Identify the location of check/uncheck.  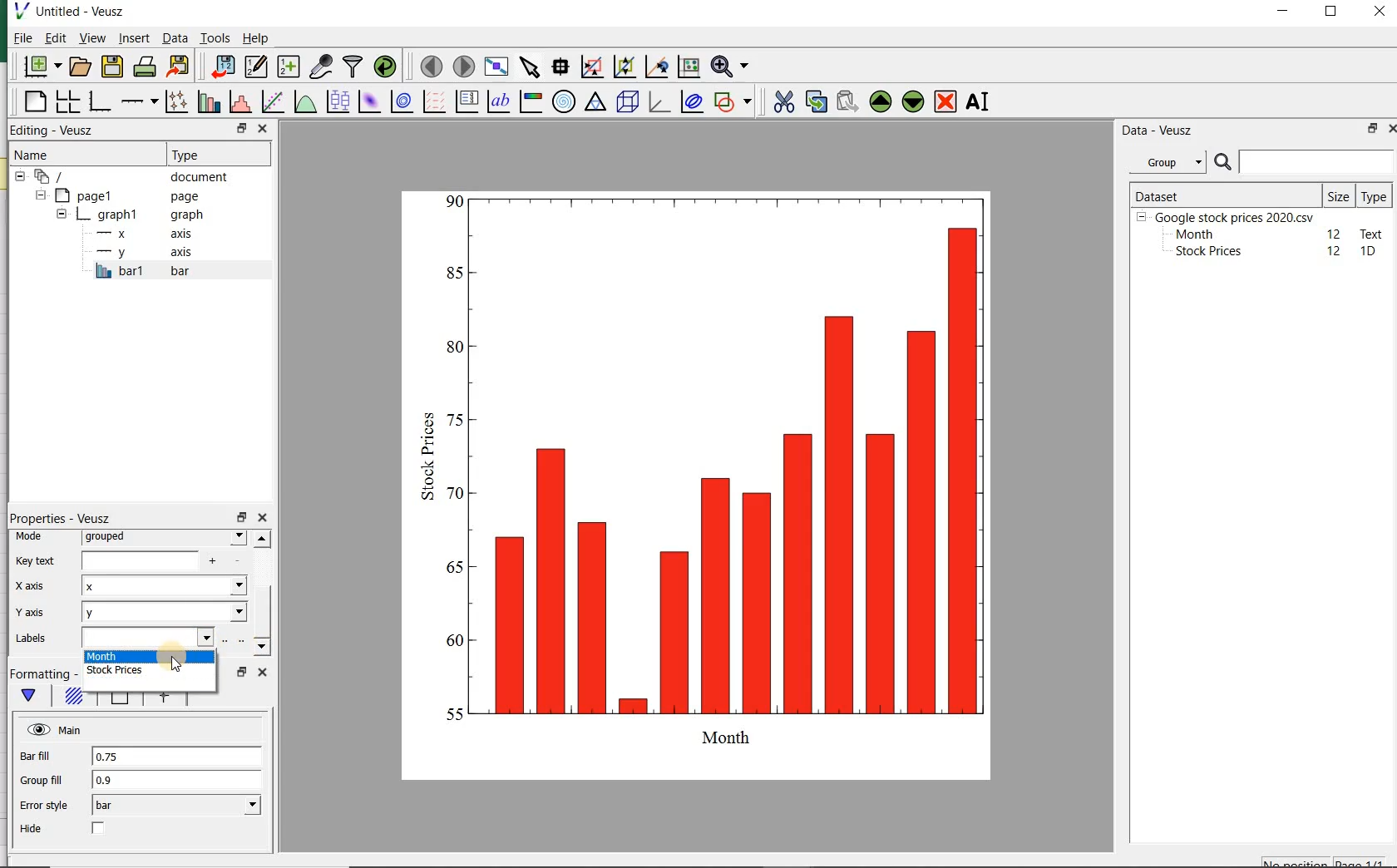
(100, 829).